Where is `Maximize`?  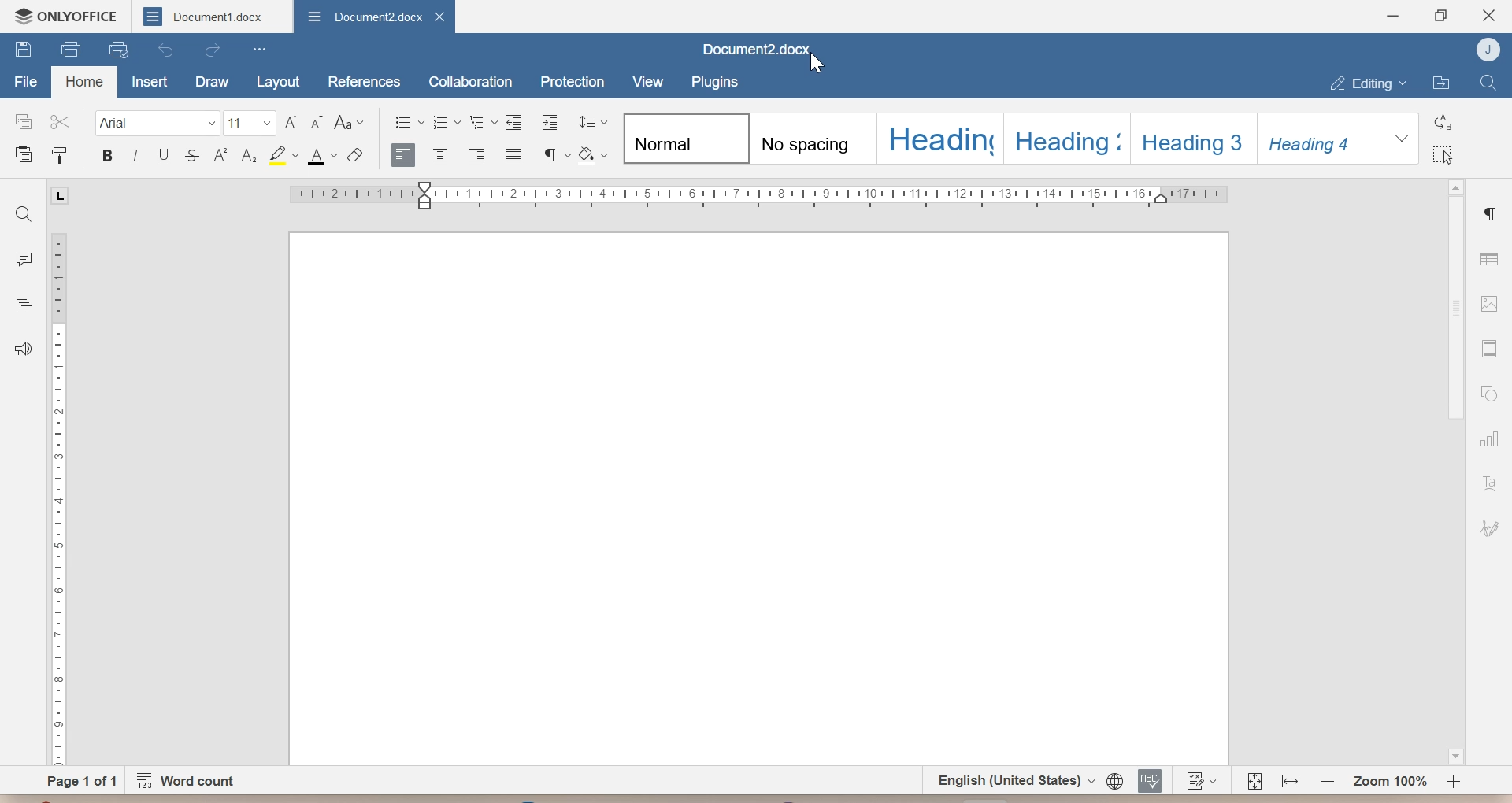
Maximize is located at coordinates (1441, 16).